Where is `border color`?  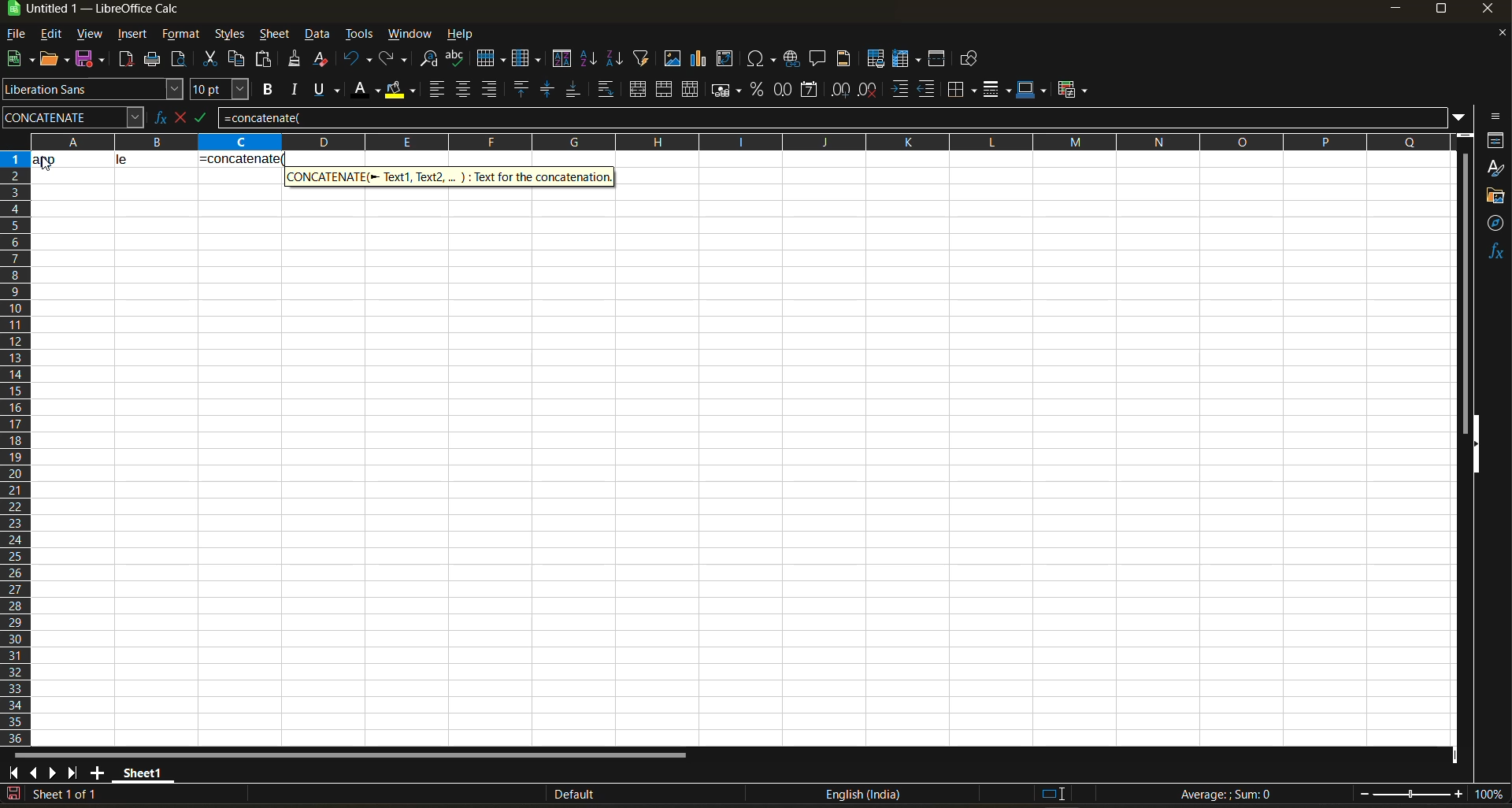 border color is located at coordinates (1032, 89).